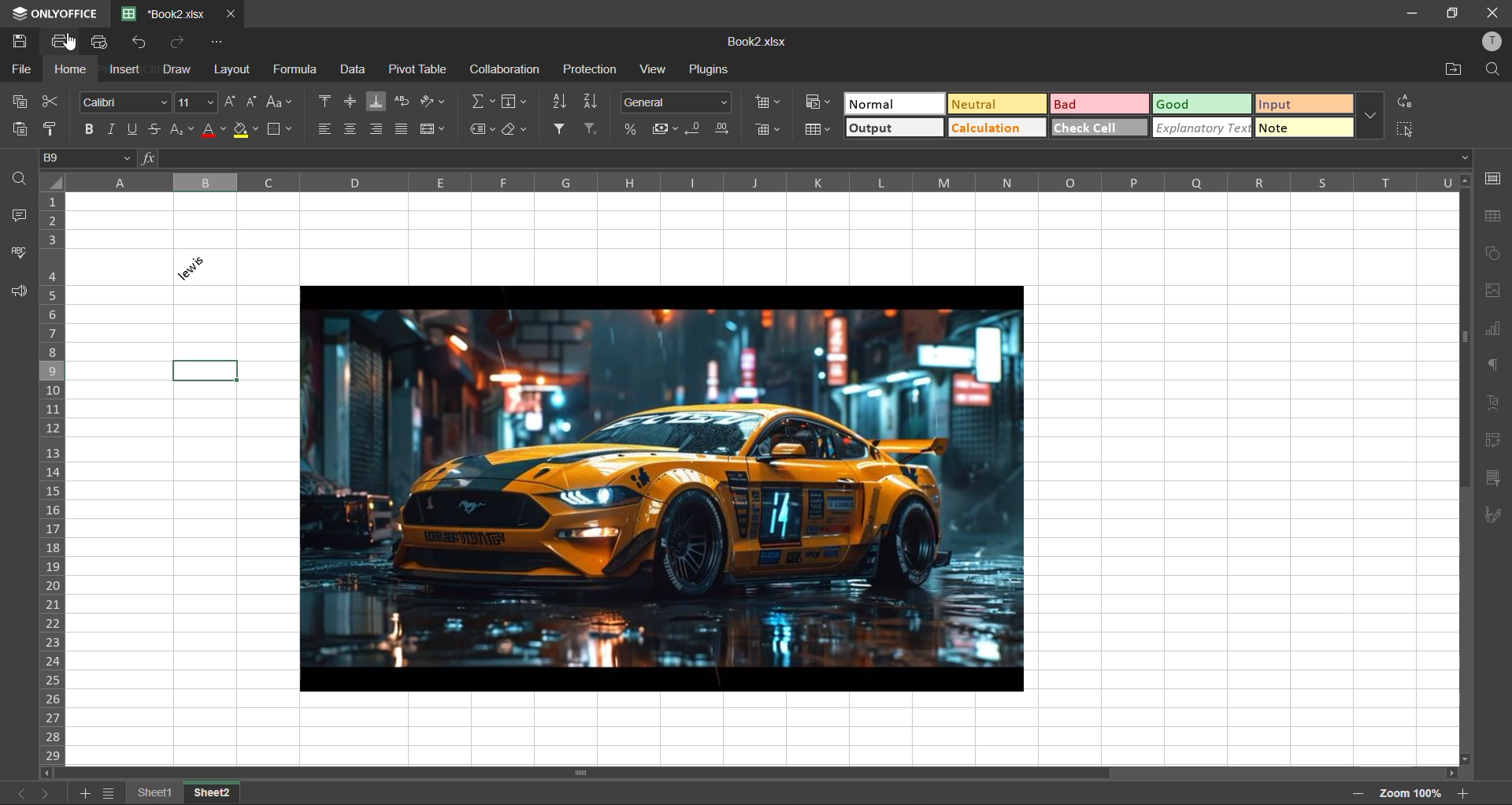  What do you see at coordinates (216, 42) in the screenshot?
I see `customize quick access toolbar` at bounding box center [216, 42].